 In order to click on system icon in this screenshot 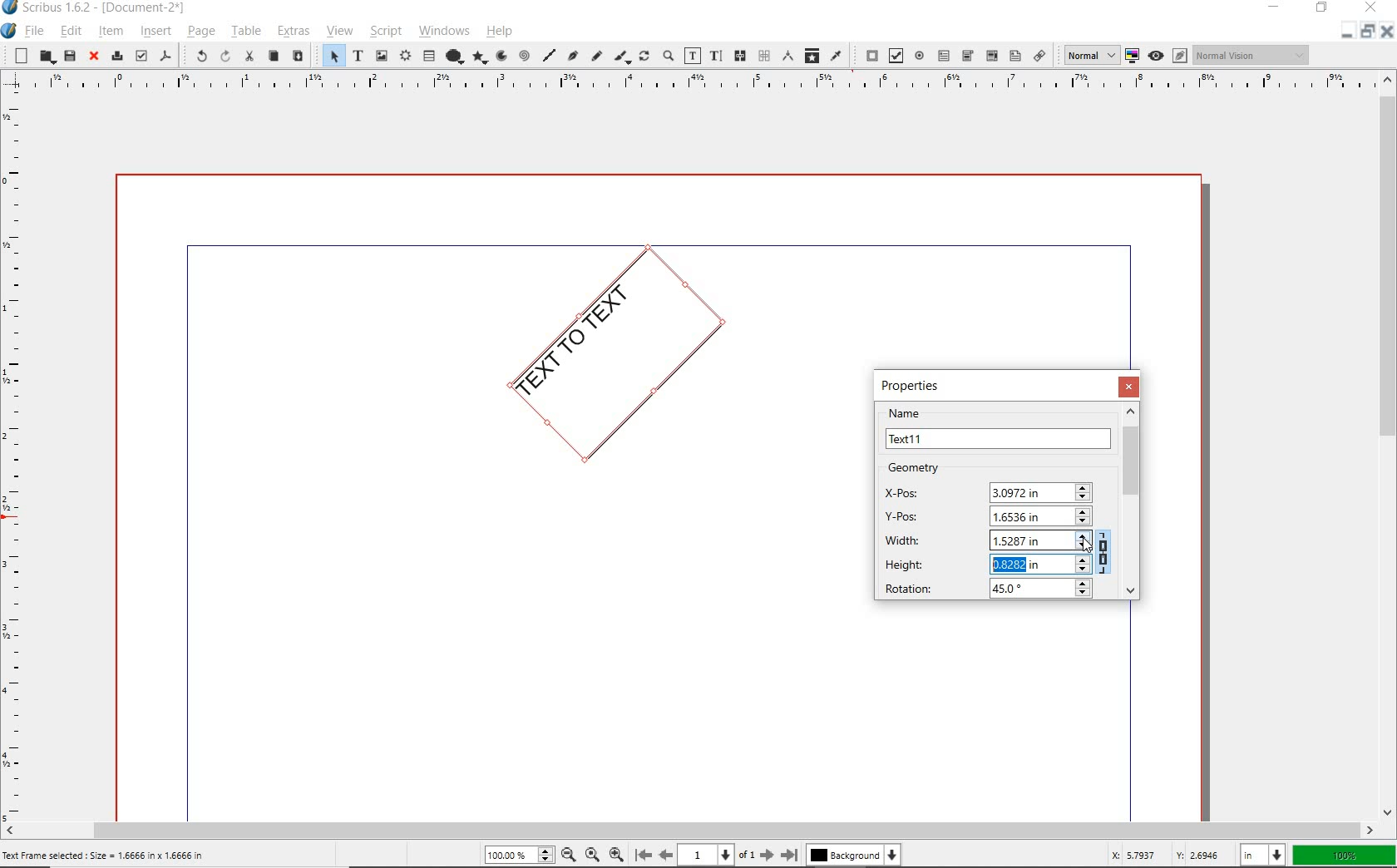, I will do `click(10, 32)`.